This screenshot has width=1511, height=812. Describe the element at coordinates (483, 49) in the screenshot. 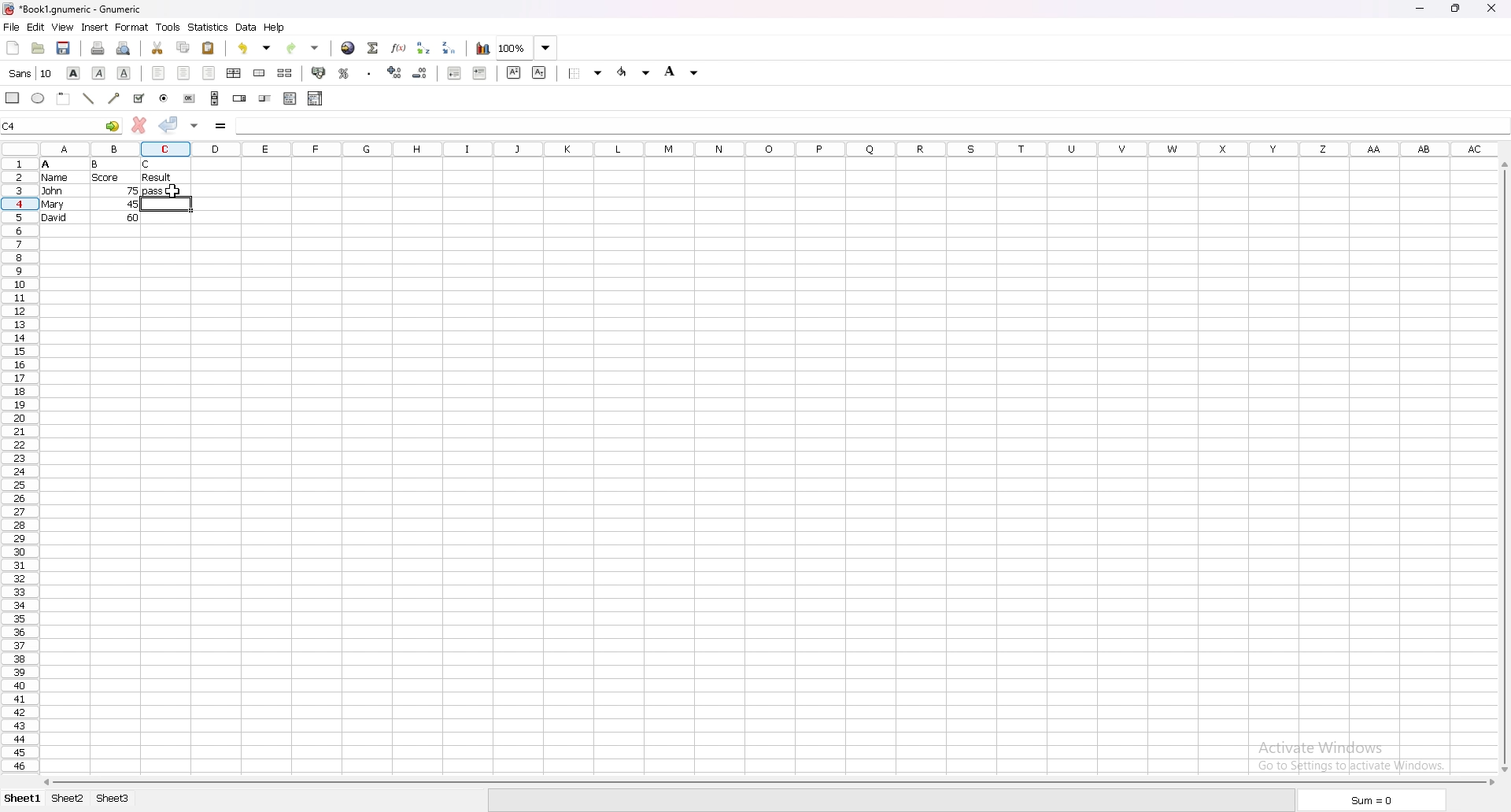

I see `chart` at that location.